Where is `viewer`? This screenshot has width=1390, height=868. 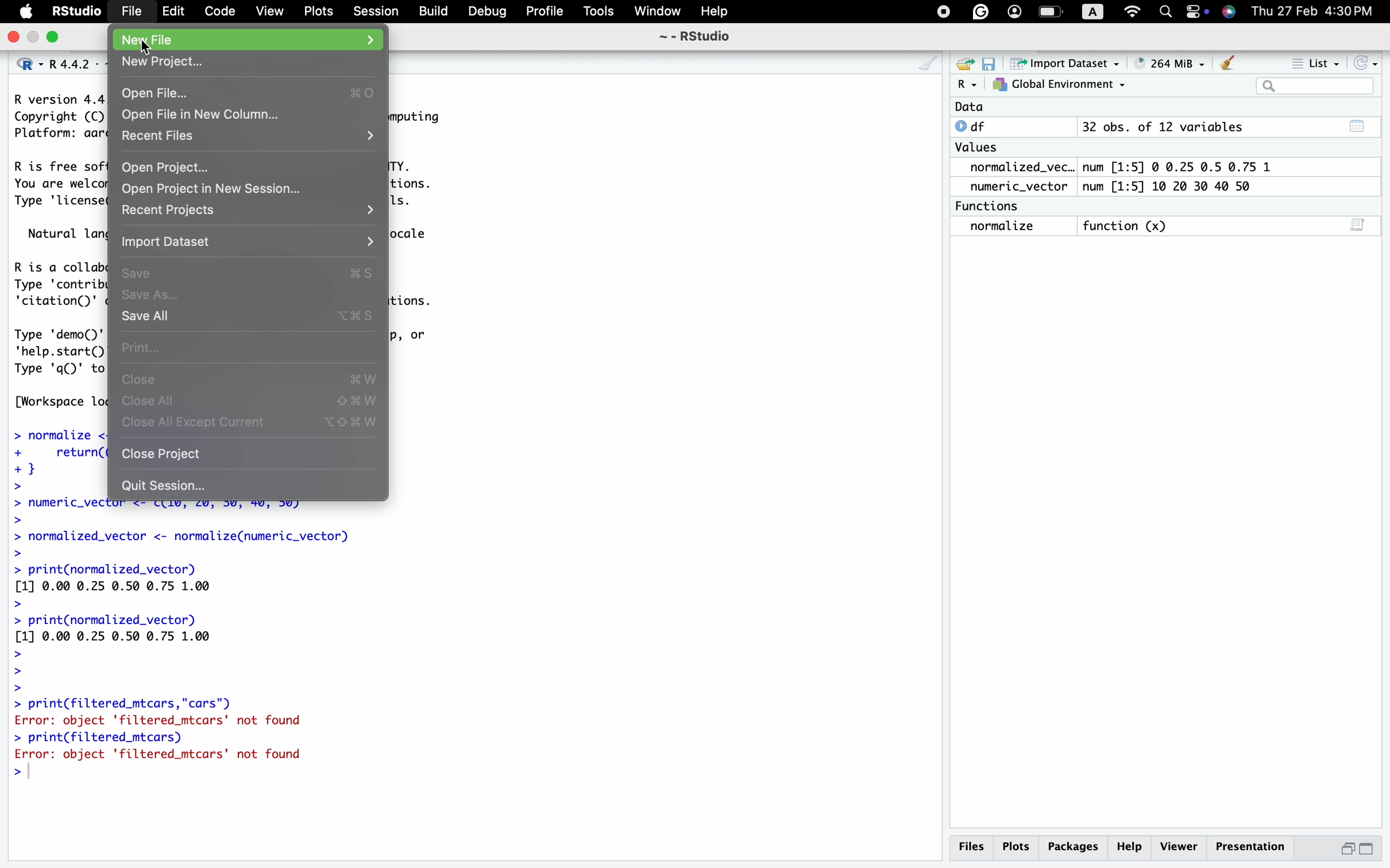
viewer is located at coordinates (1179, 846).